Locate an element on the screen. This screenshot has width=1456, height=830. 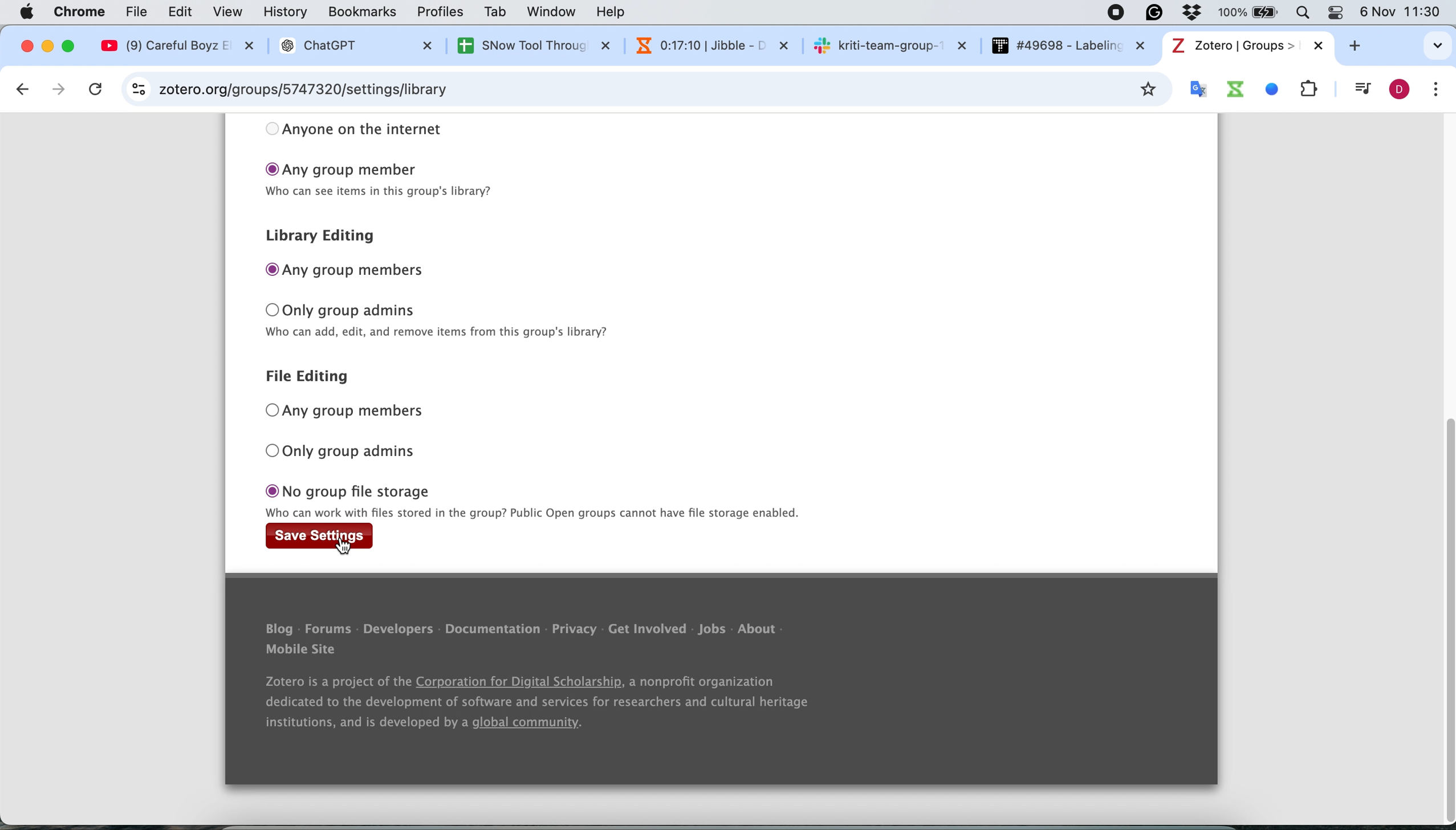
# #49698 - Labelin: x is located at coordinates (1069, 46).